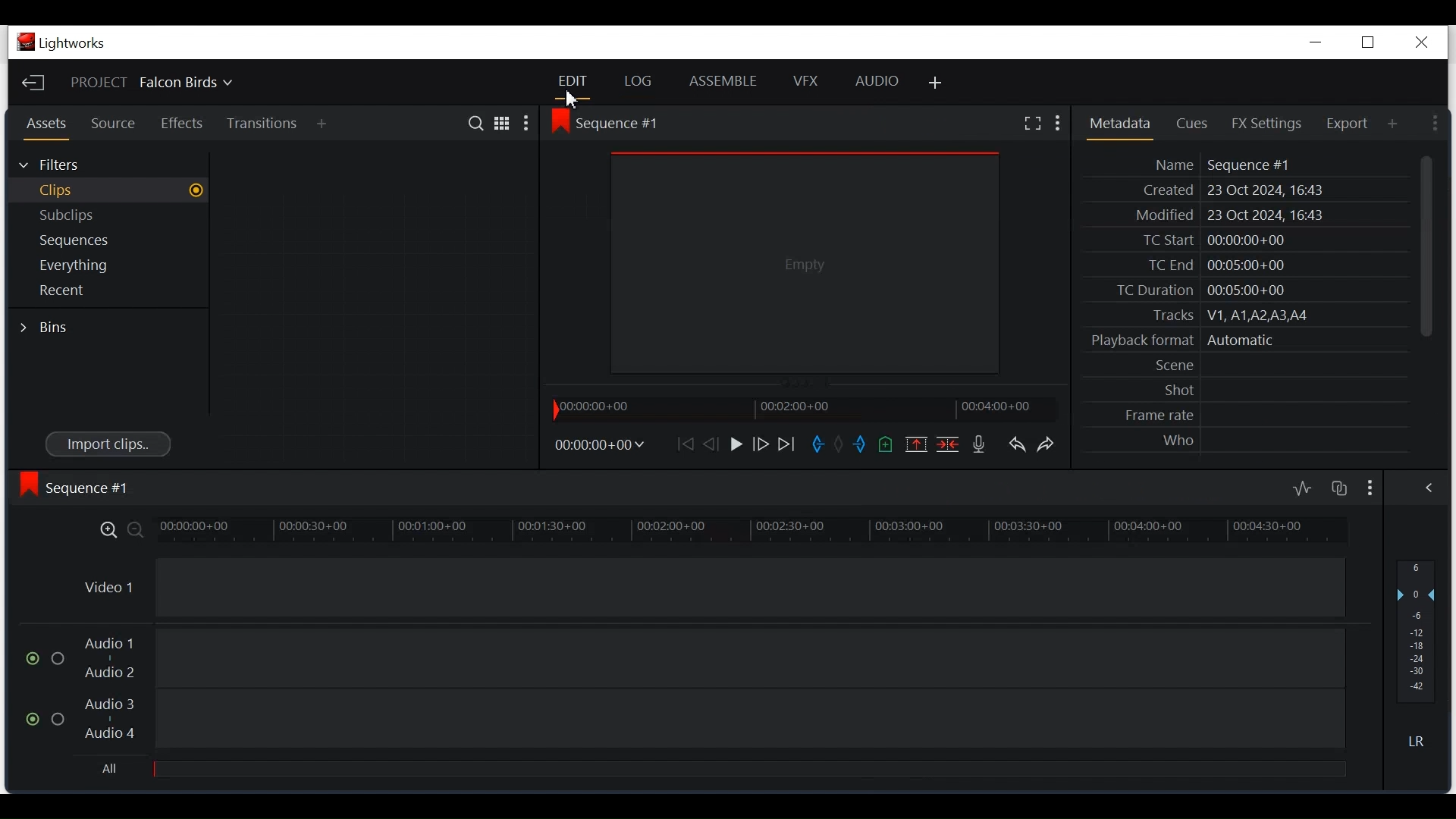 Image resolution: width=1456 pixels, height=819 pixels. I want to click on Show settings menu, so click(1061, 122).